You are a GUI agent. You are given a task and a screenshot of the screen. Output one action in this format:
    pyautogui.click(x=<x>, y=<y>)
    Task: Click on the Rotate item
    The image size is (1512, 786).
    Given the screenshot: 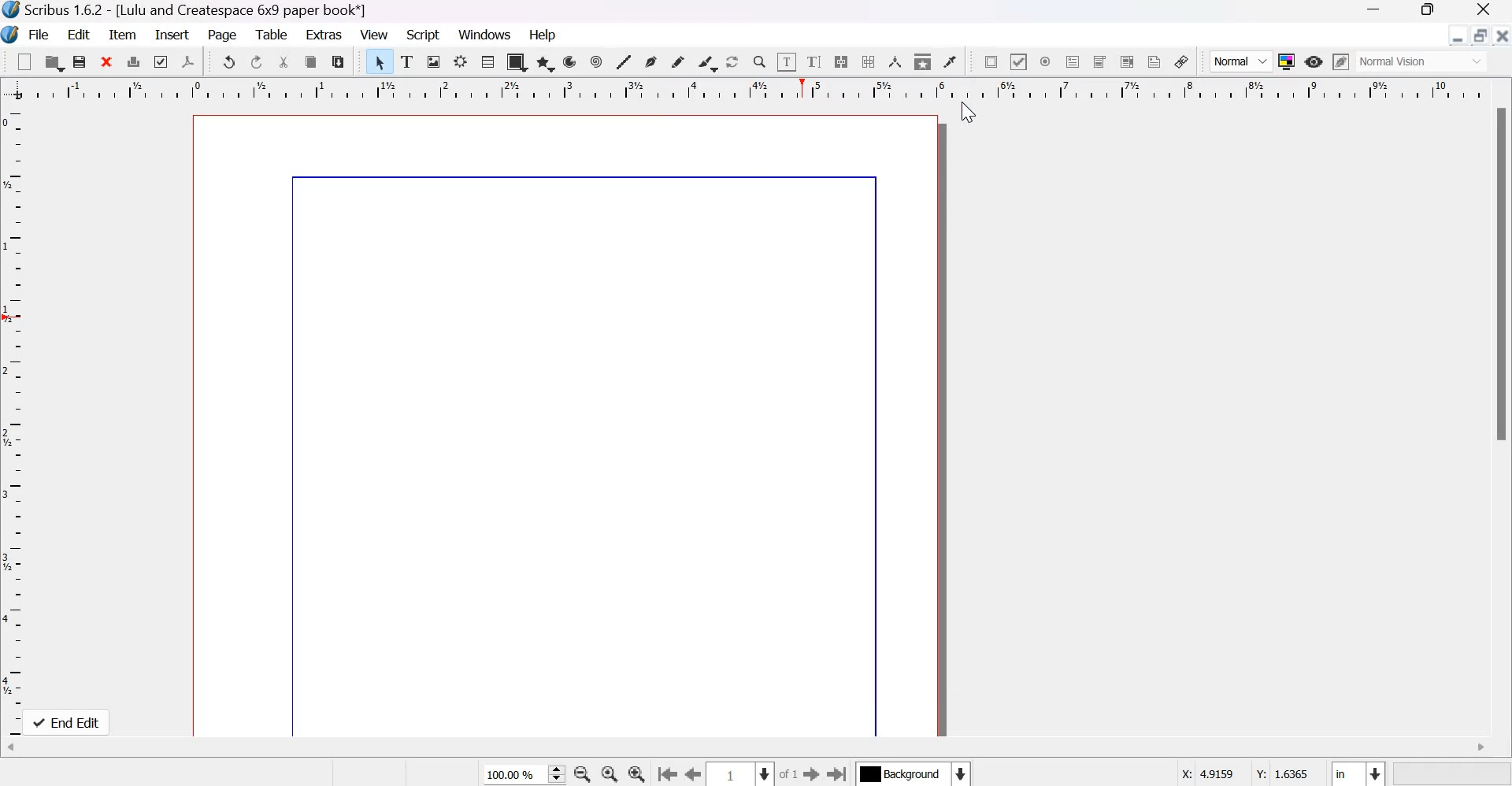 What is the action you would take?
    pyautogui.click(x=732, y=63)
    